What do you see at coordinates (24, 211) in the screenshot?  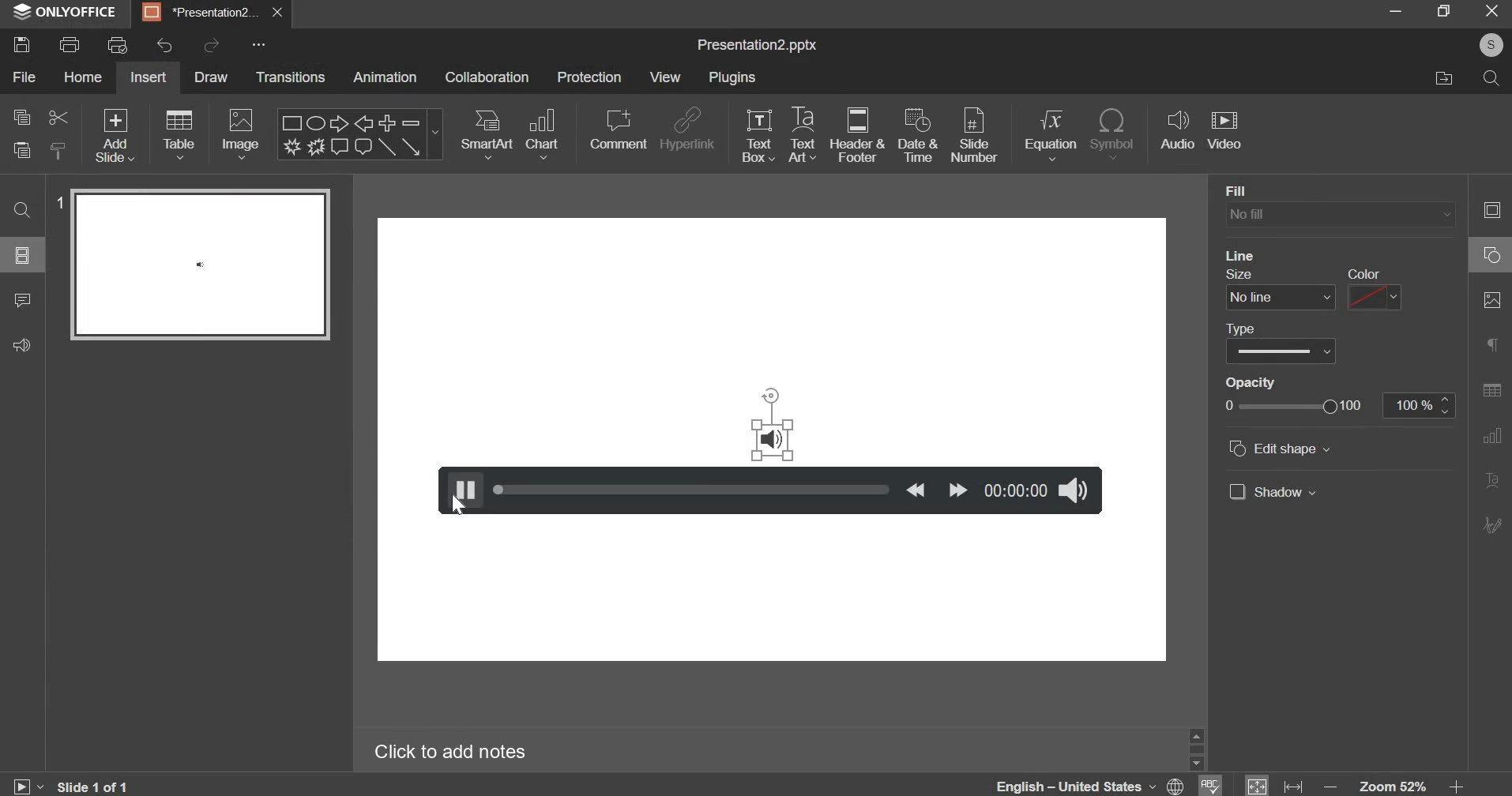 I see `find` at bounding box center [24, 211].